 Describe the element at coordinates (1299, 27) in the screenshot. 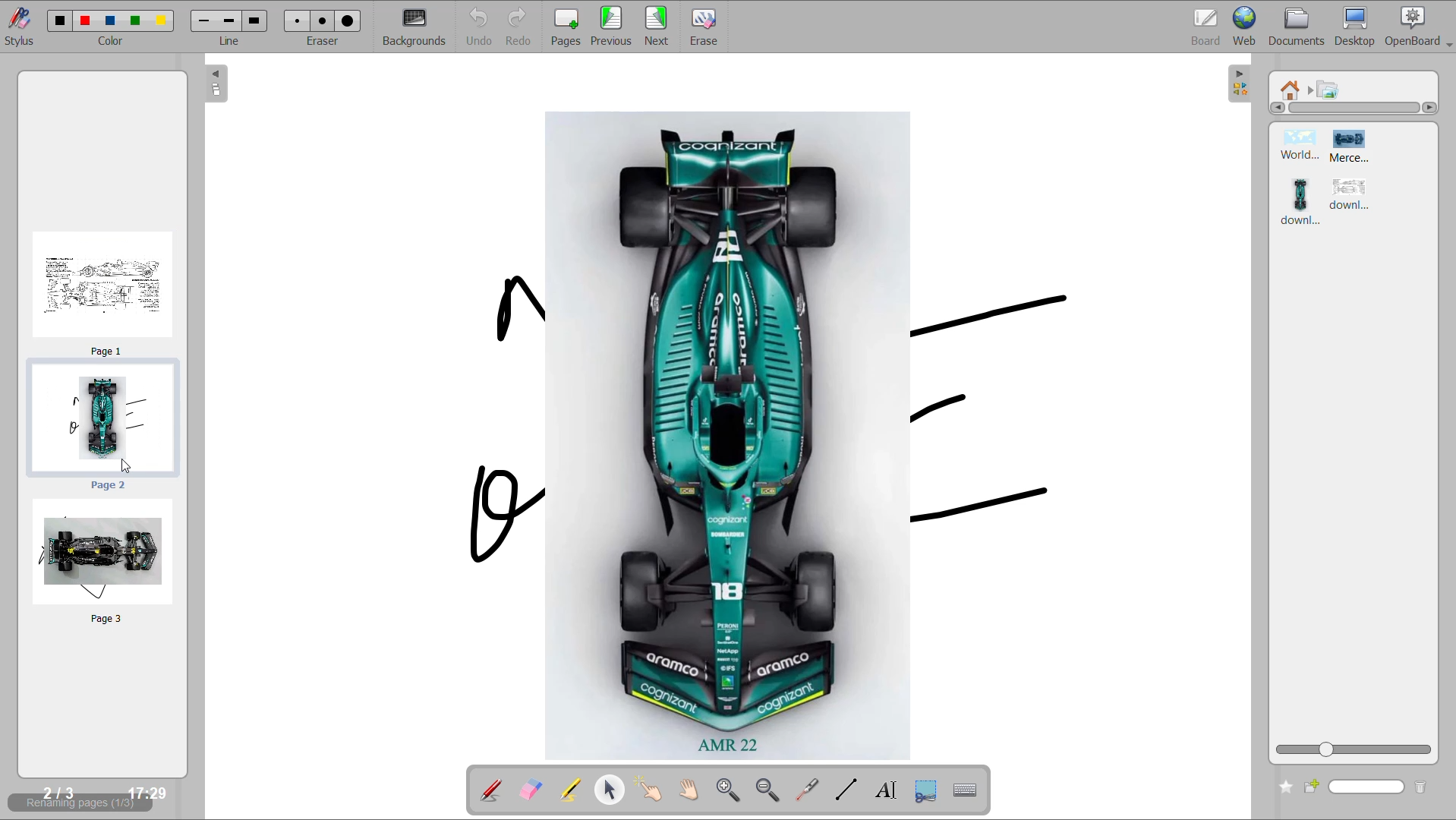

I see `documents` at that location.